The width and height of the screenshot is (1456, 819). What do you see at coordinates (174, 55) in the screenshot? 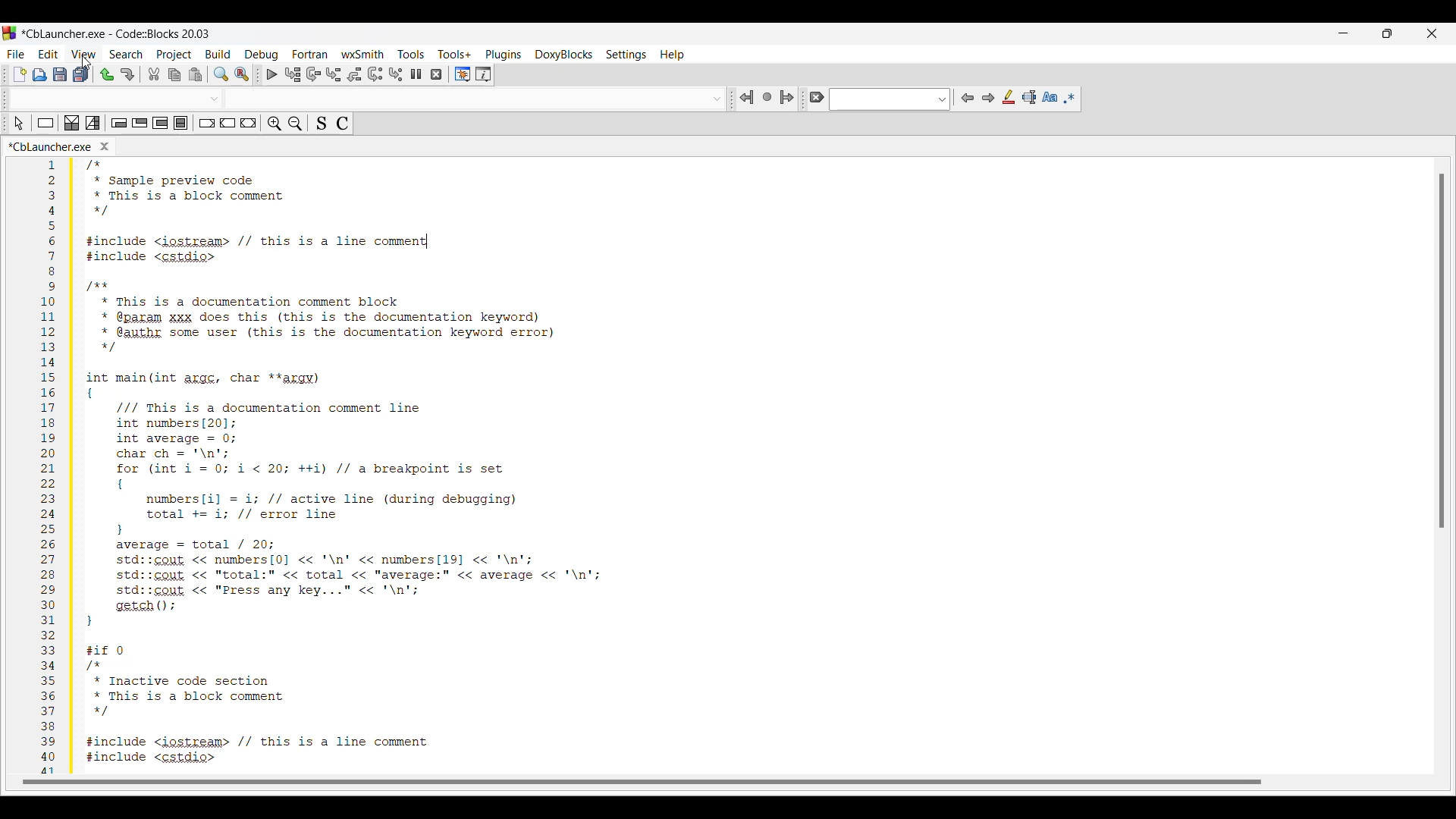
I see `Project menu` at bounding box center [174, 55].